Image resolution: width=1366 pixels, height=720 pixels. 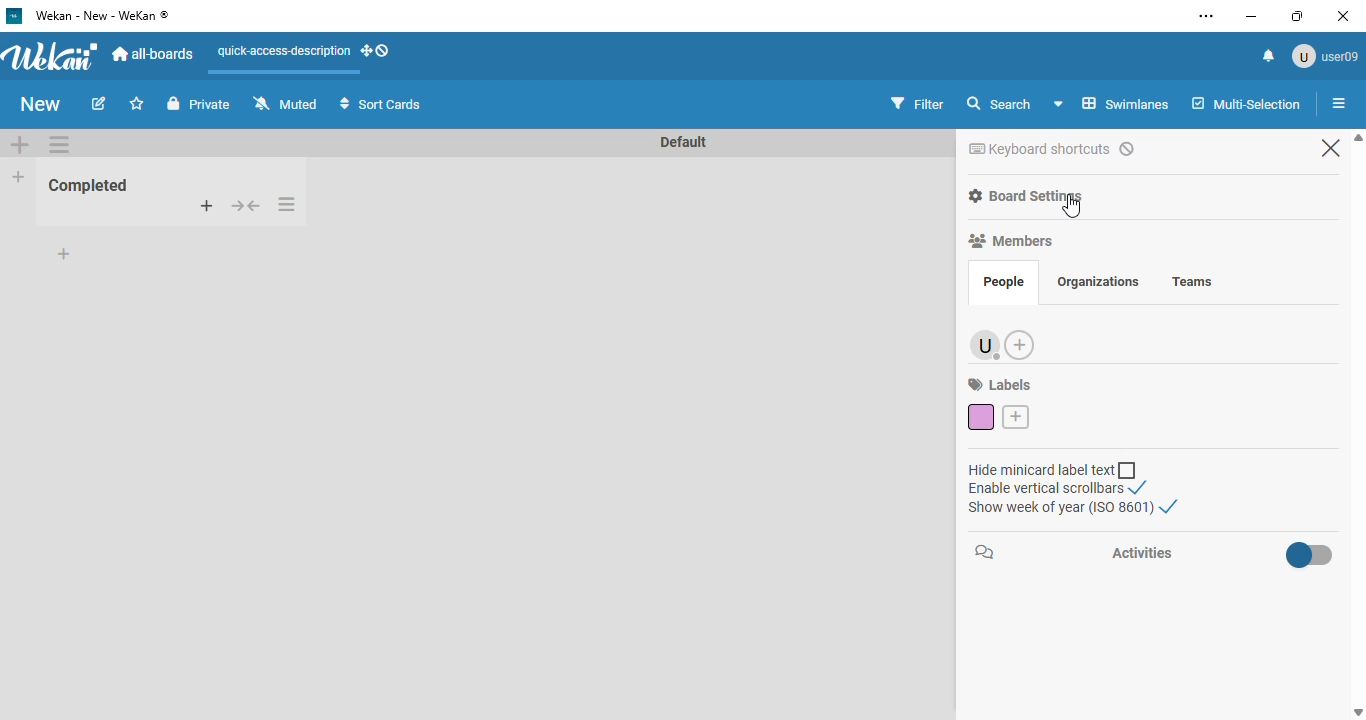 What do you see at coordinates (1325, 56) in the screenshot?
I see `user09 profile` at bounding box center [1325, 56].